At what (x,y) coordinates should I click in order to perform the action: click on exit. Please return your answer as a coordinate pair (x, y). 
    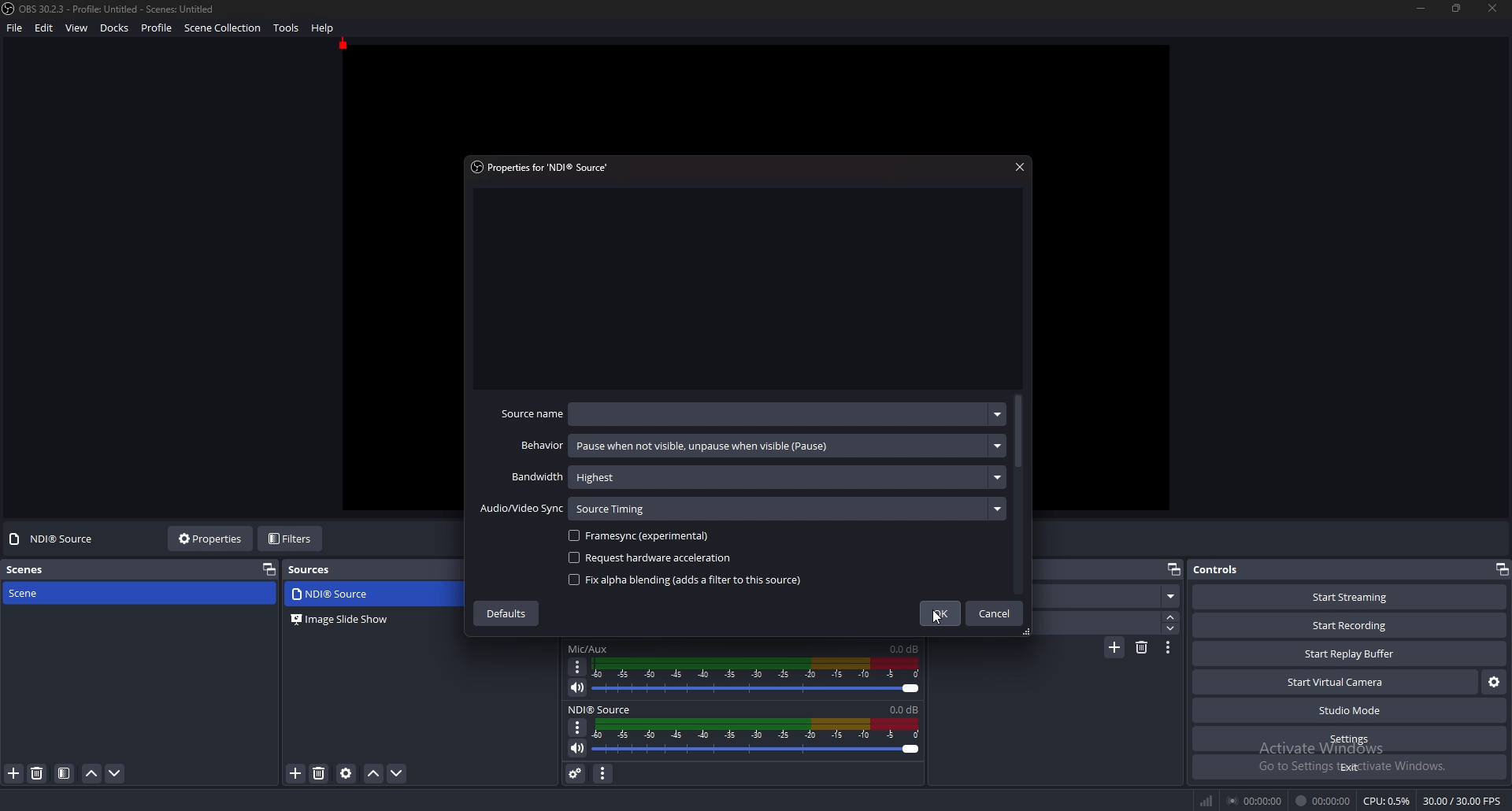
    Looking at the image, I should click on (1348, 767).